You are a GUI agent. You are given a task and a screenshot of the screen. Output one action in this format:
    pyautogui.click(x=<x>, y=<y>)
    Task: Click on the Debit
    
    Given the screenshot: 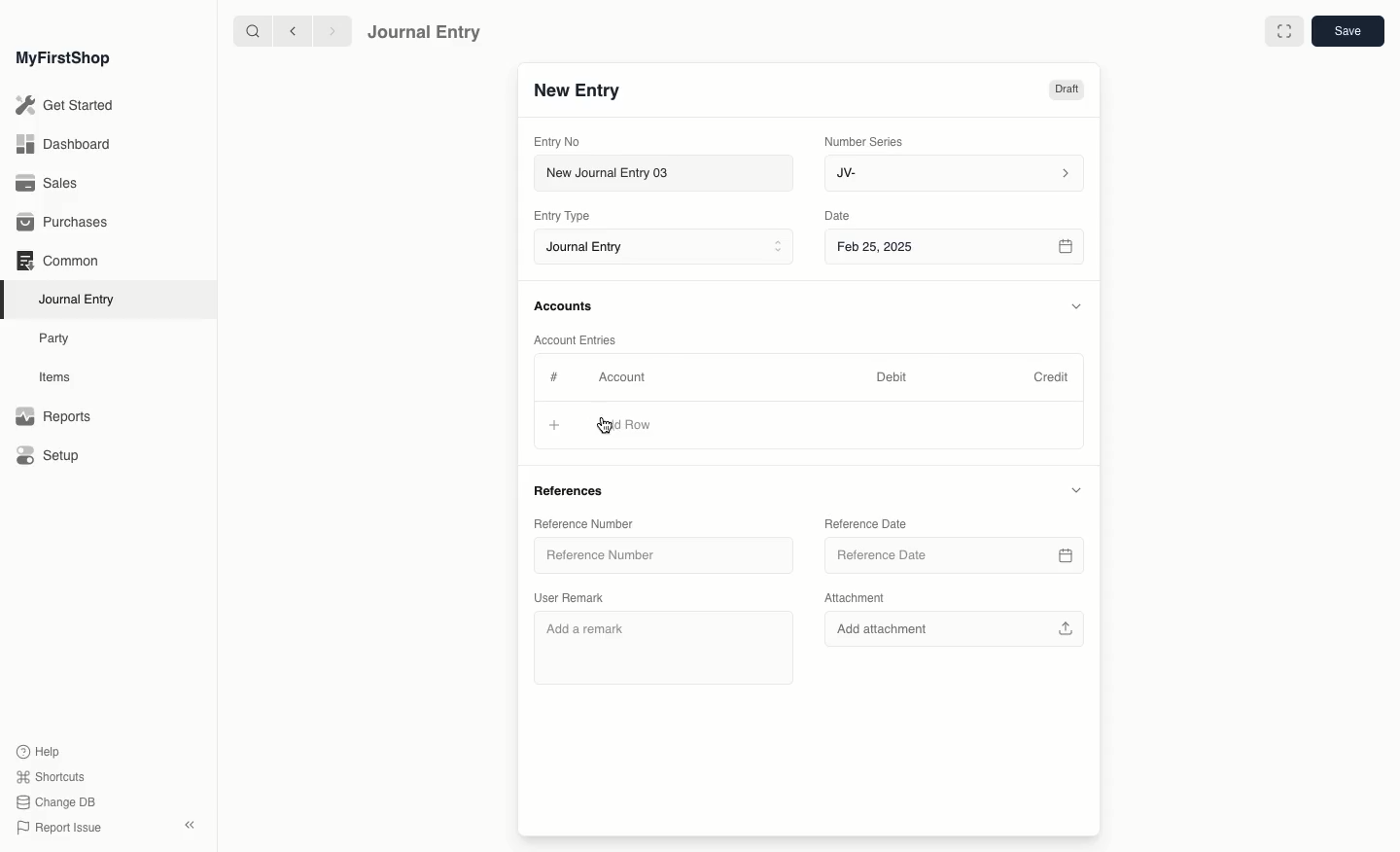 What is the action you would take?
    pyautogui.click(x=892, y=376)
    